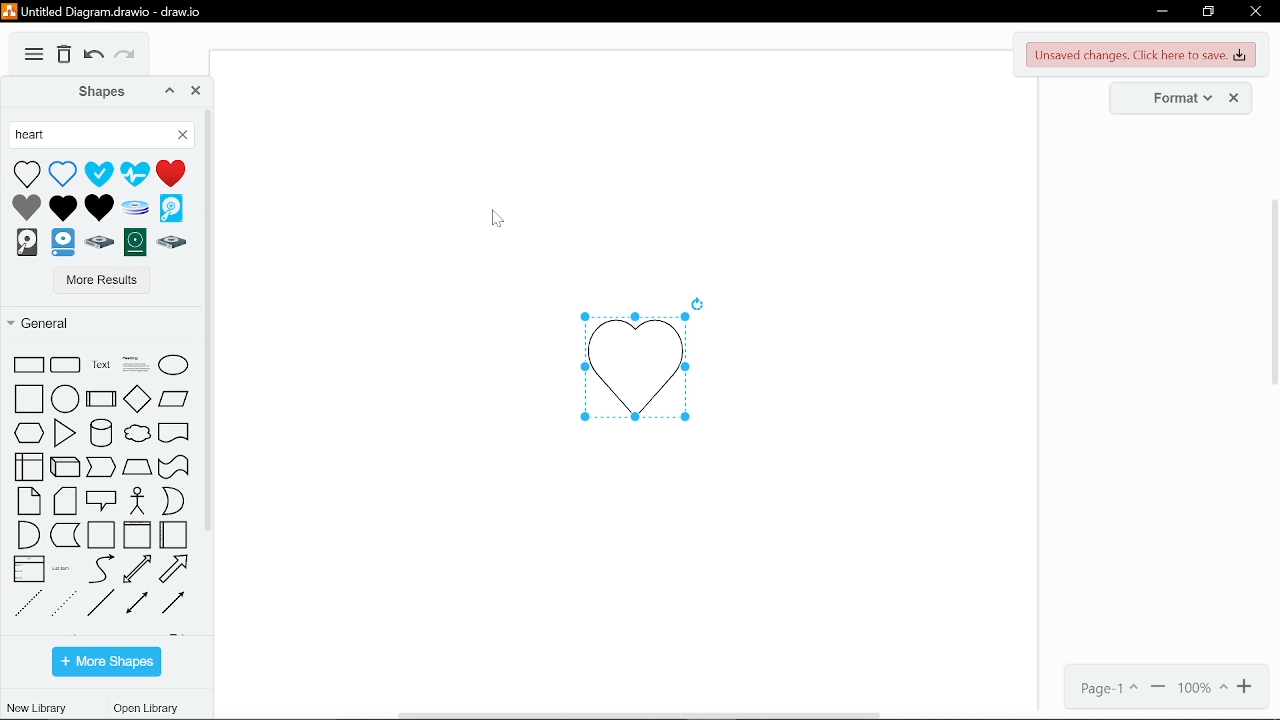 The height and width of the screenshot is (720, 1280). What do you see at coordinates (101, 535) in the screenshot?
I see `container` at bounding box center [101, 535].